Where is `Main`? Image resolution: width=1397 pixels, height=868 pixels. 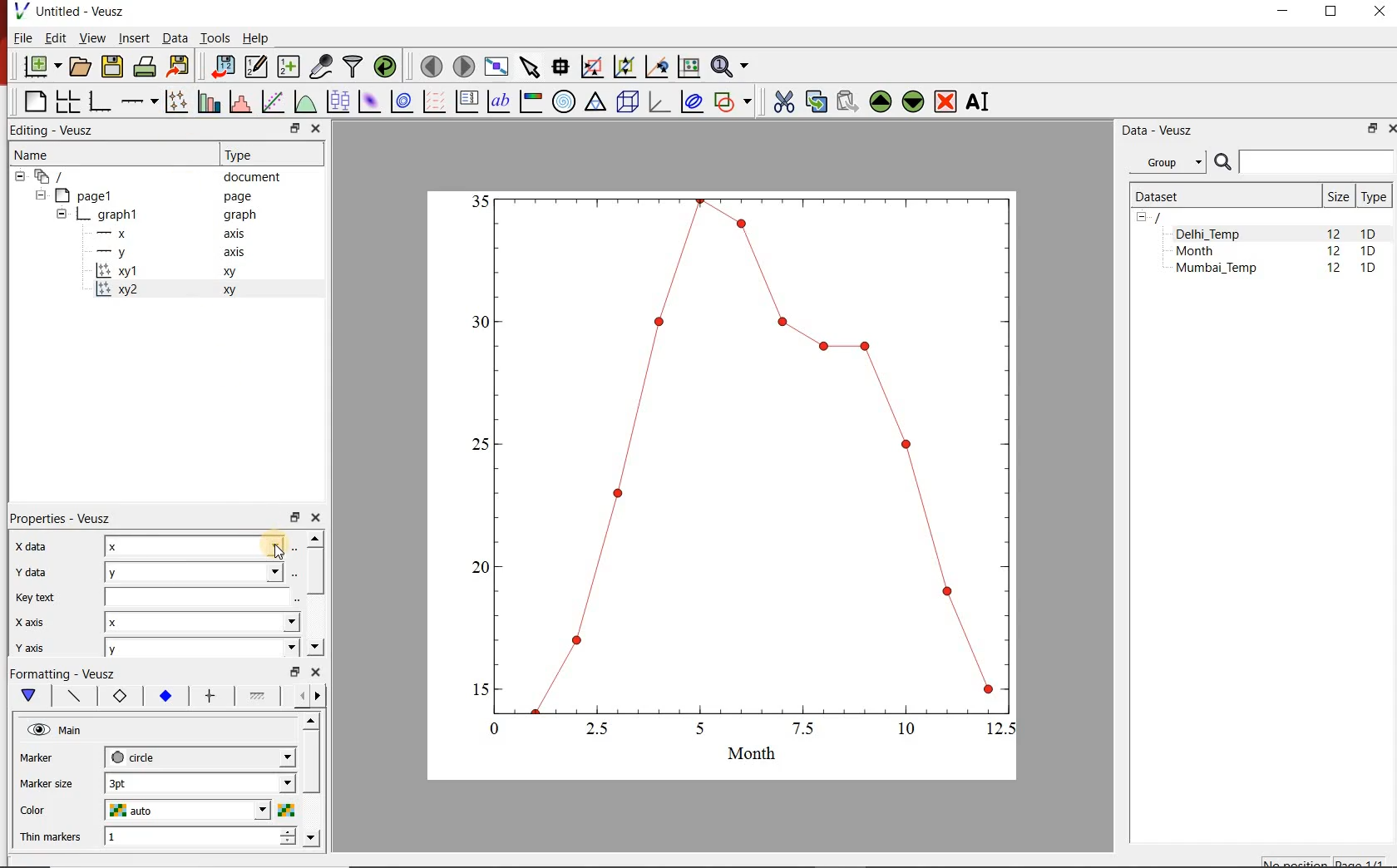 Main is located at coordinates (57, 730).